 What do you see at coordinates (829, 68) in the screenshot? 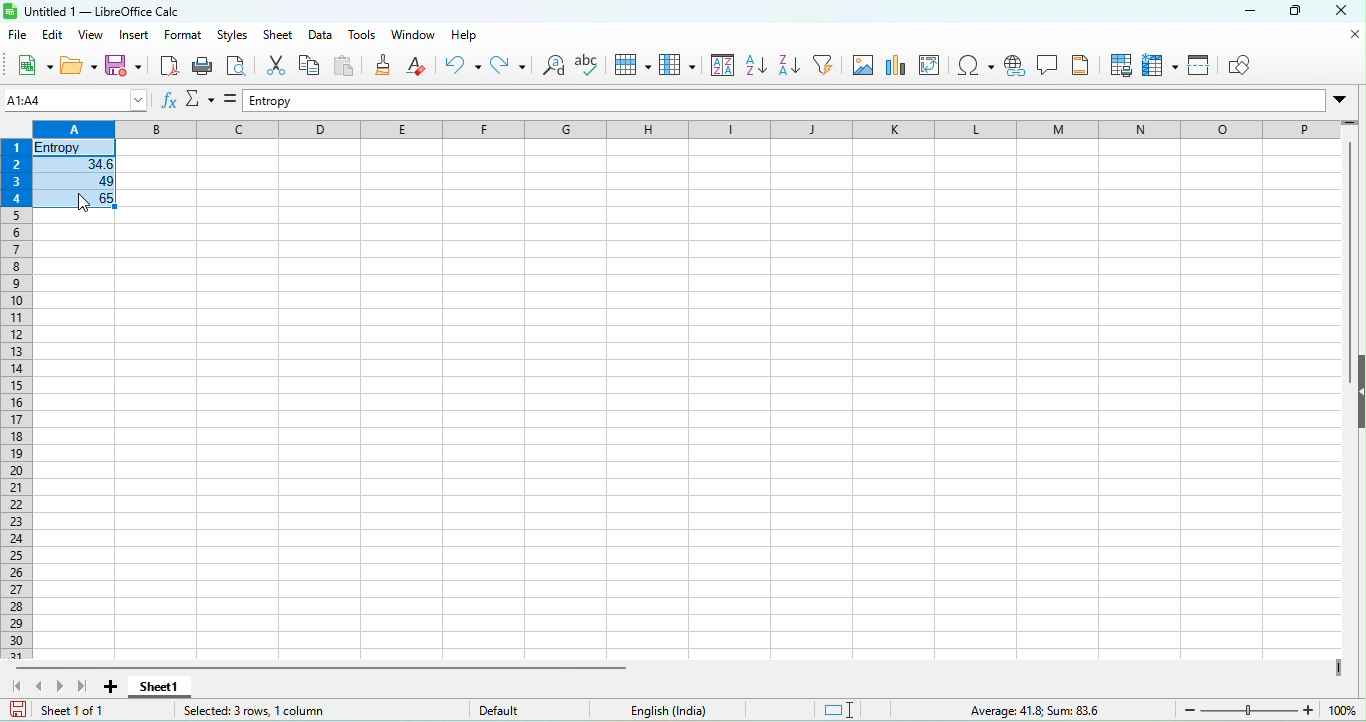
I see `auto filter` at bounding box center [829, 68].